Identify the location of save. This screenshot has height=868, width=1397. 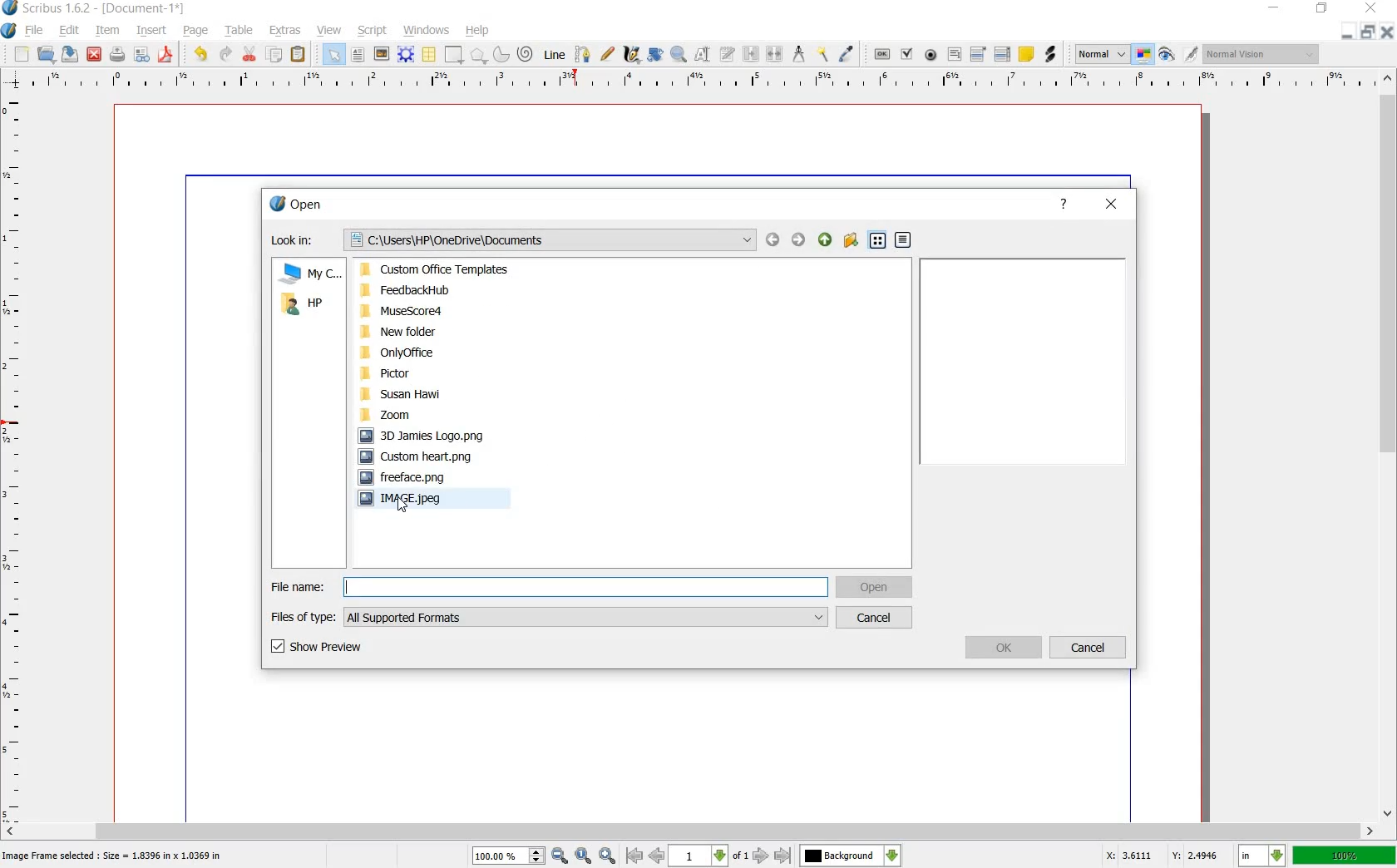
(70, 56).